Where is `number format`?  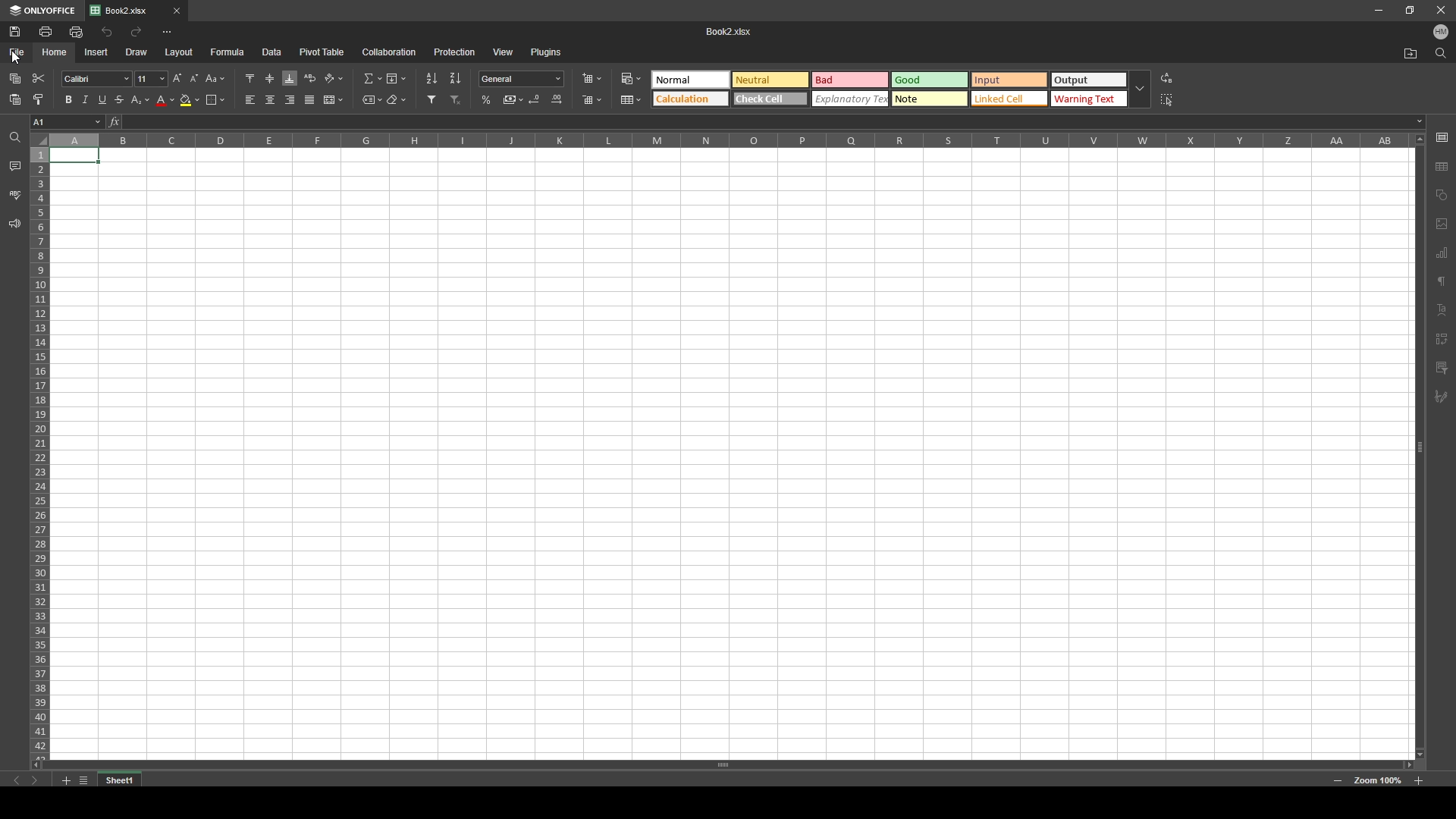
number format is located at coordinates (522, 78).